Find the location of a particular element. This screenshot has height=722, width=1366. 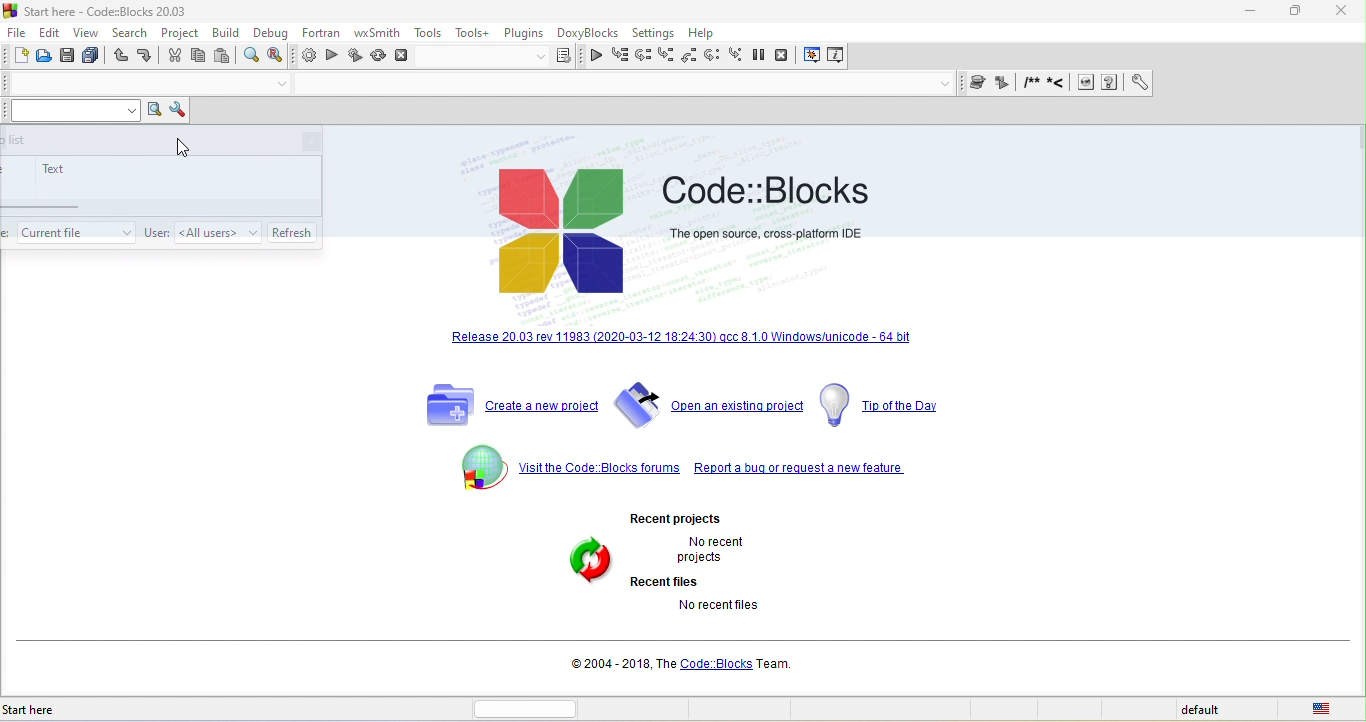

new is located at coordinates (19, 56).